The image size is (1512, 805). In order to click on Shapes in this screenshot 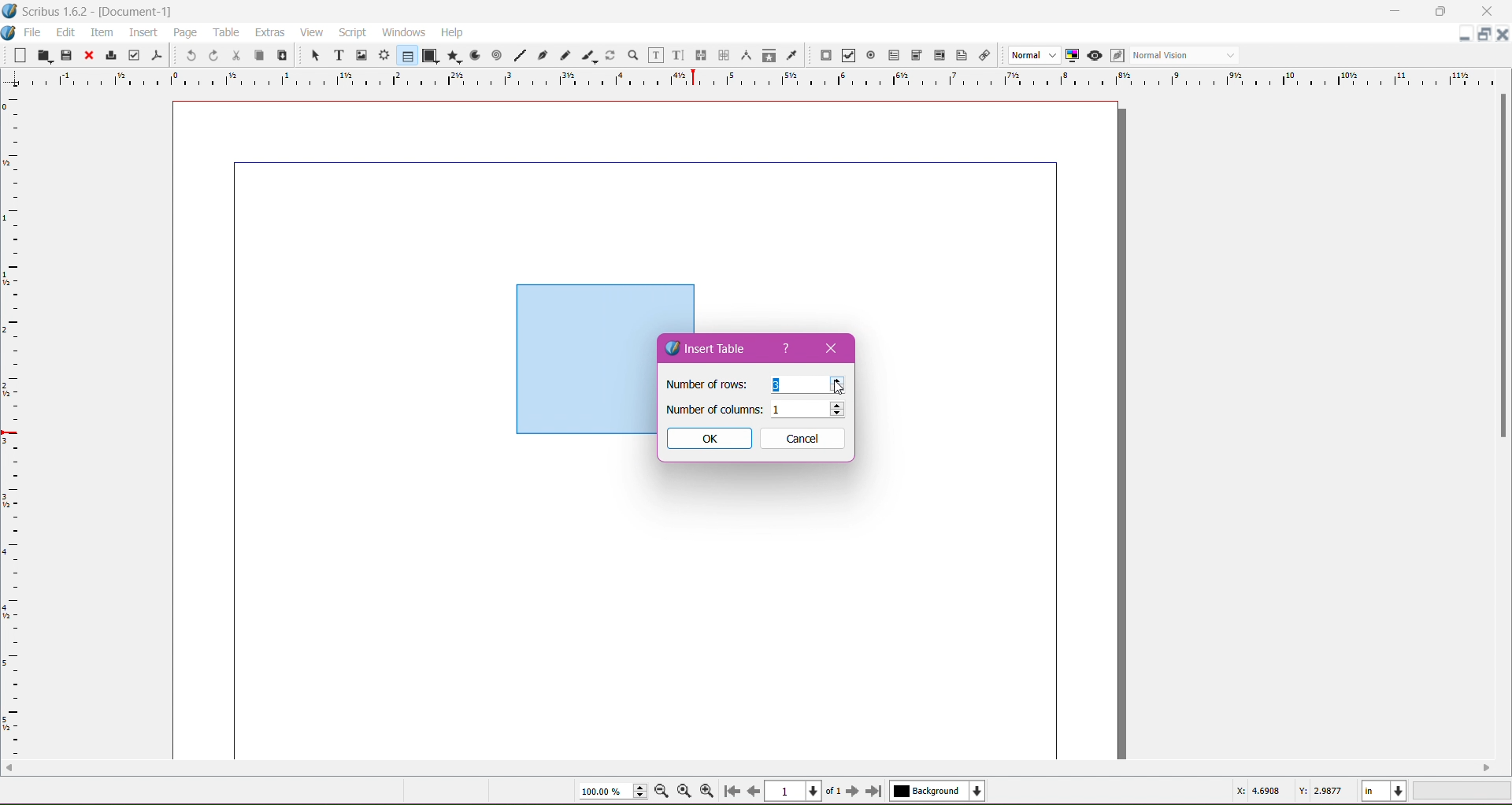, I will do `click(429, 55)`.